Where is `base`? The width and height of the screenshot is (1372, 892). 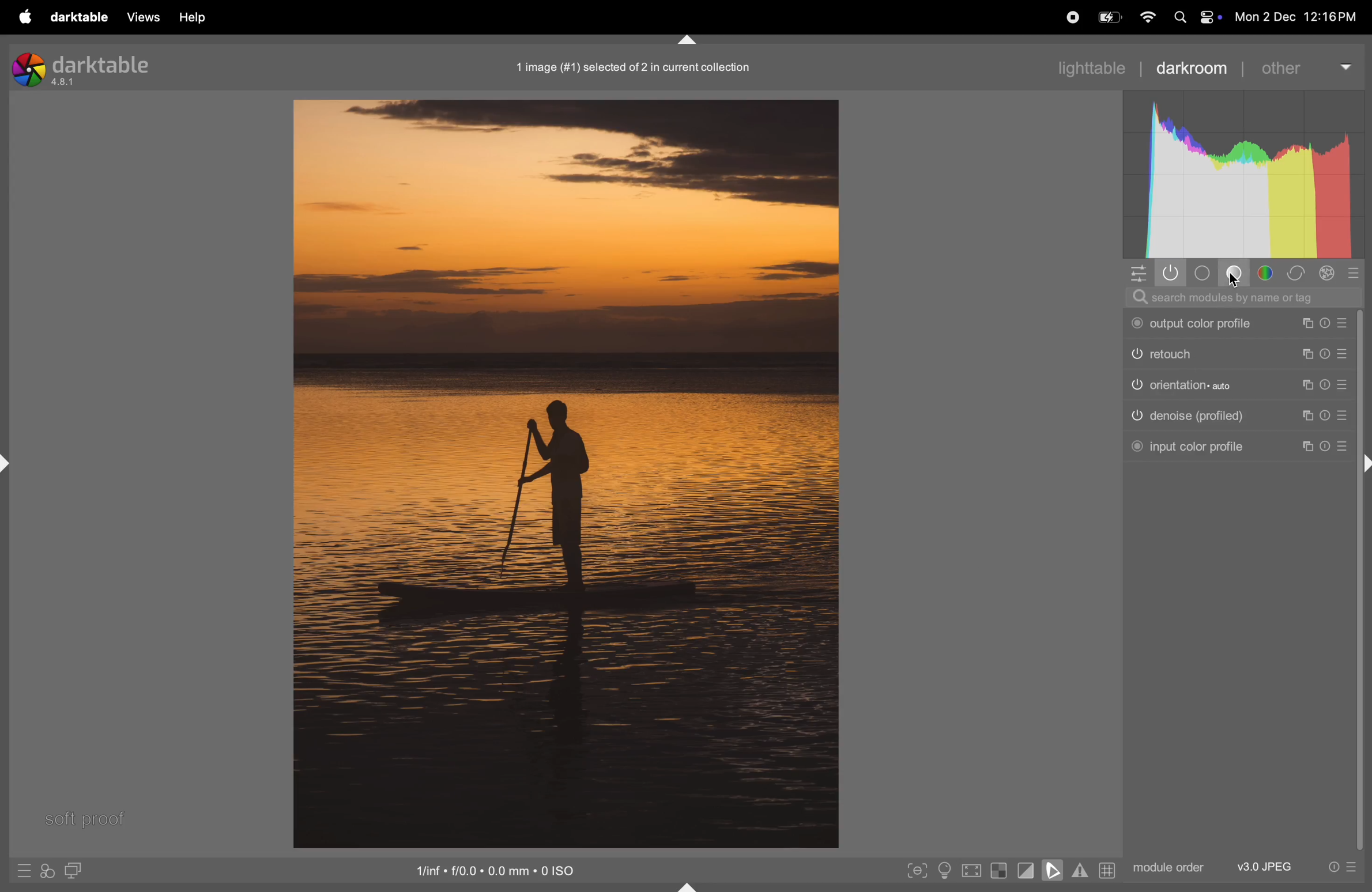 base is located at coordinates (1237, 275).